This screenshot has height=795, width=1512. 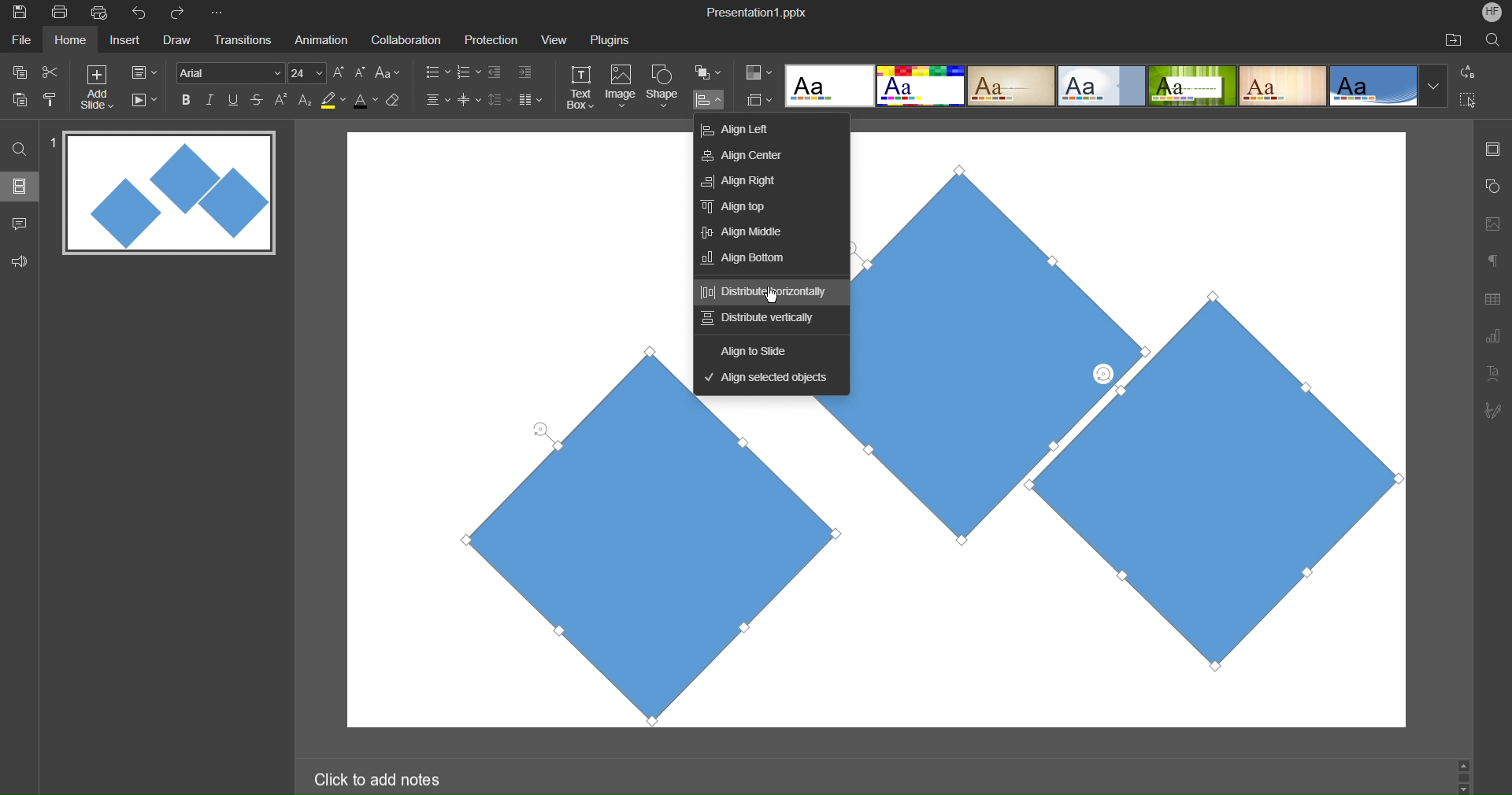 I want to click on Plugins, so click(x=612, y=39).